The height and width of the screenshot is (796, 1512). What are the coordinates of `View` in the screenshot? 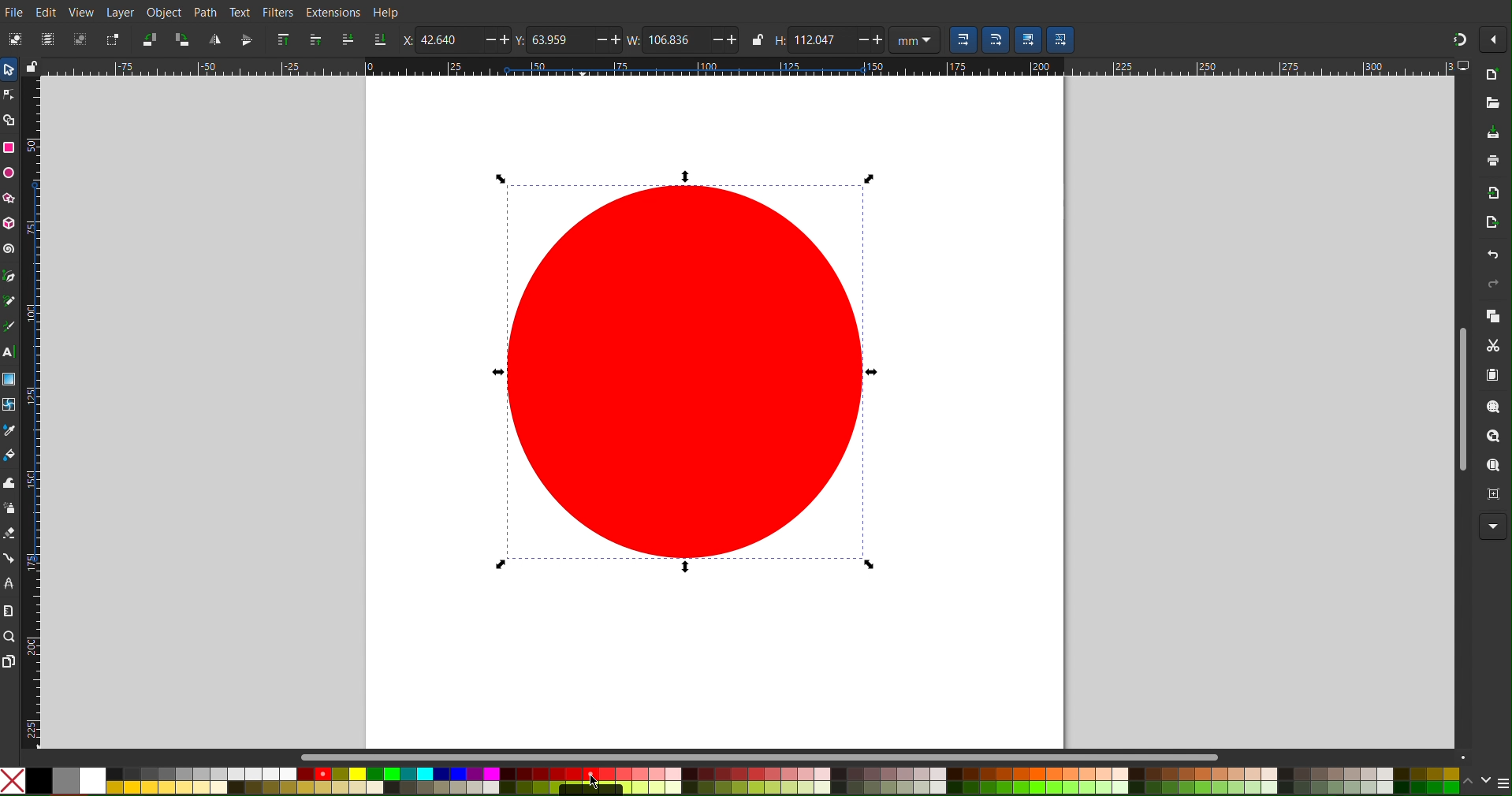 It's located at (83, 9).